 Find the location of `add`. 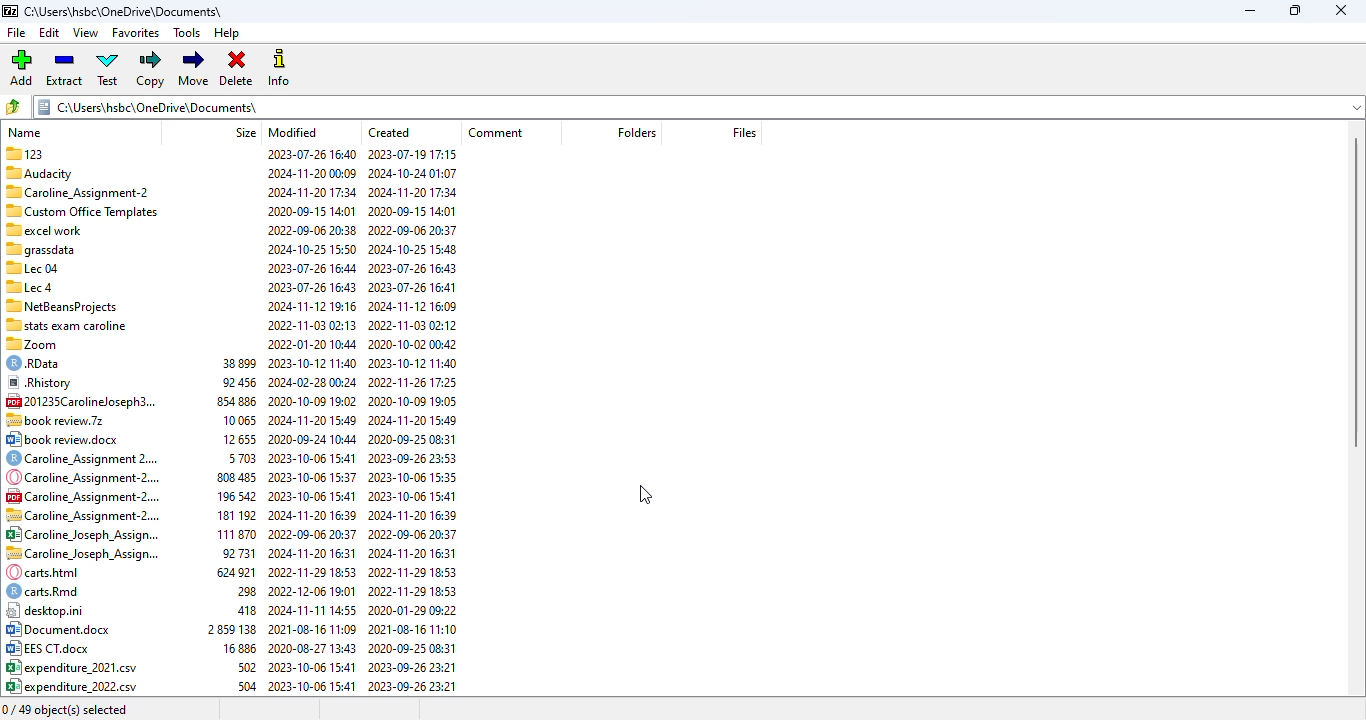

add is located at coordinates (21, 67).